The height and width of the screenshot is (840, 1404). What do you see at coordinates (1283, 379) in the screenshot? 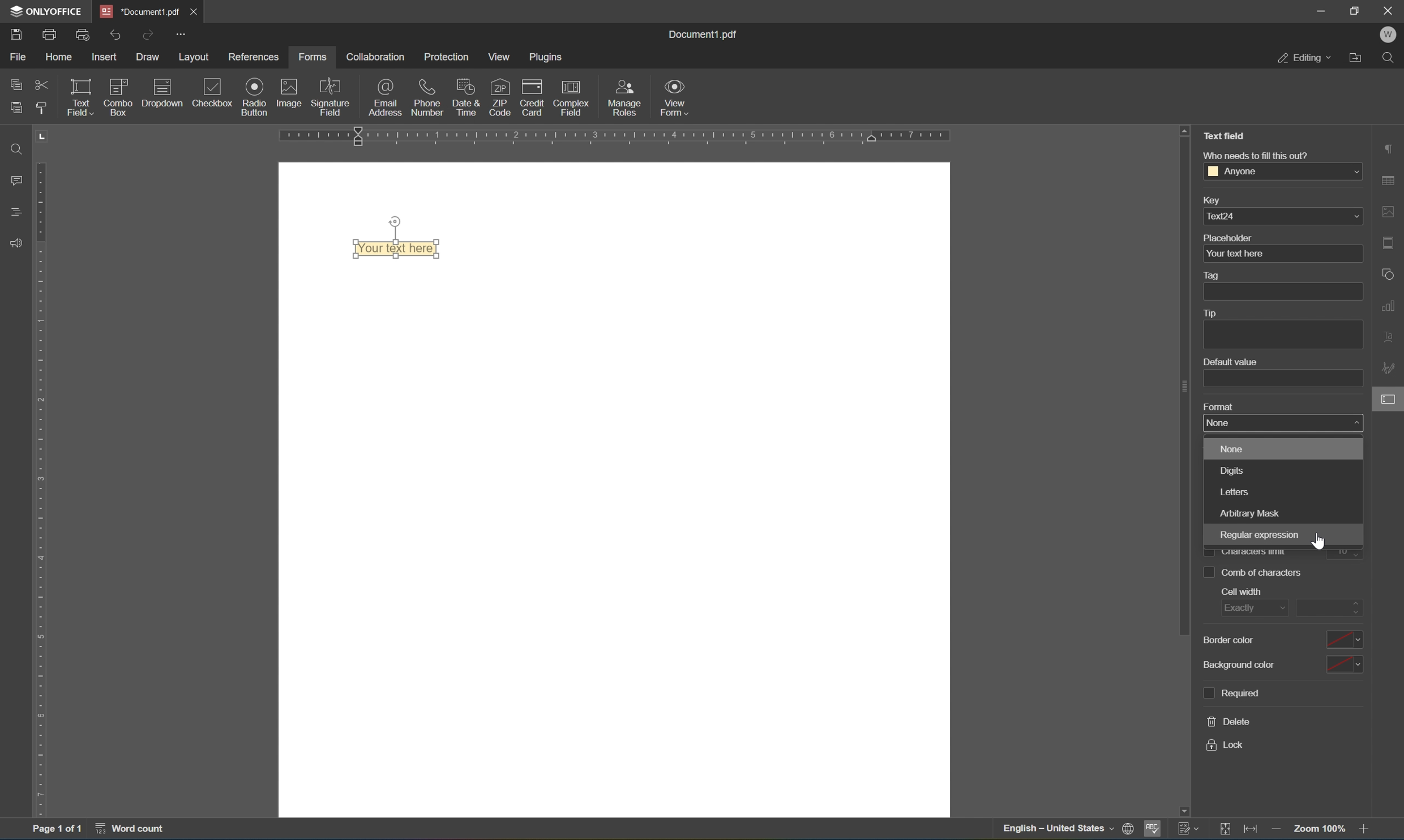
I see `add default value` at bounding box center [1283, 379].